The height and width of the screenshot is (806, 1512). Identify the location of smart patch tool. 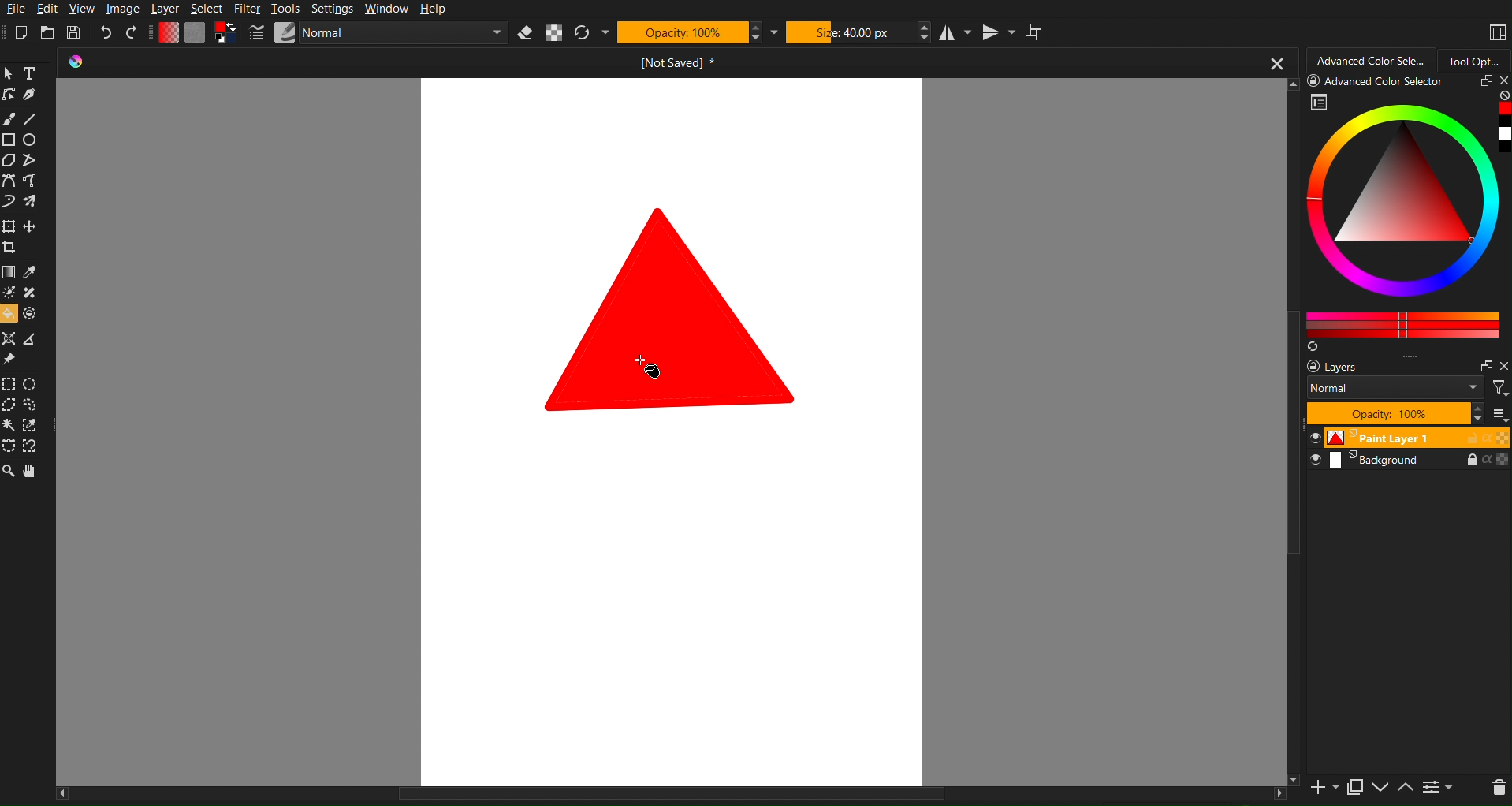
(33, 291).